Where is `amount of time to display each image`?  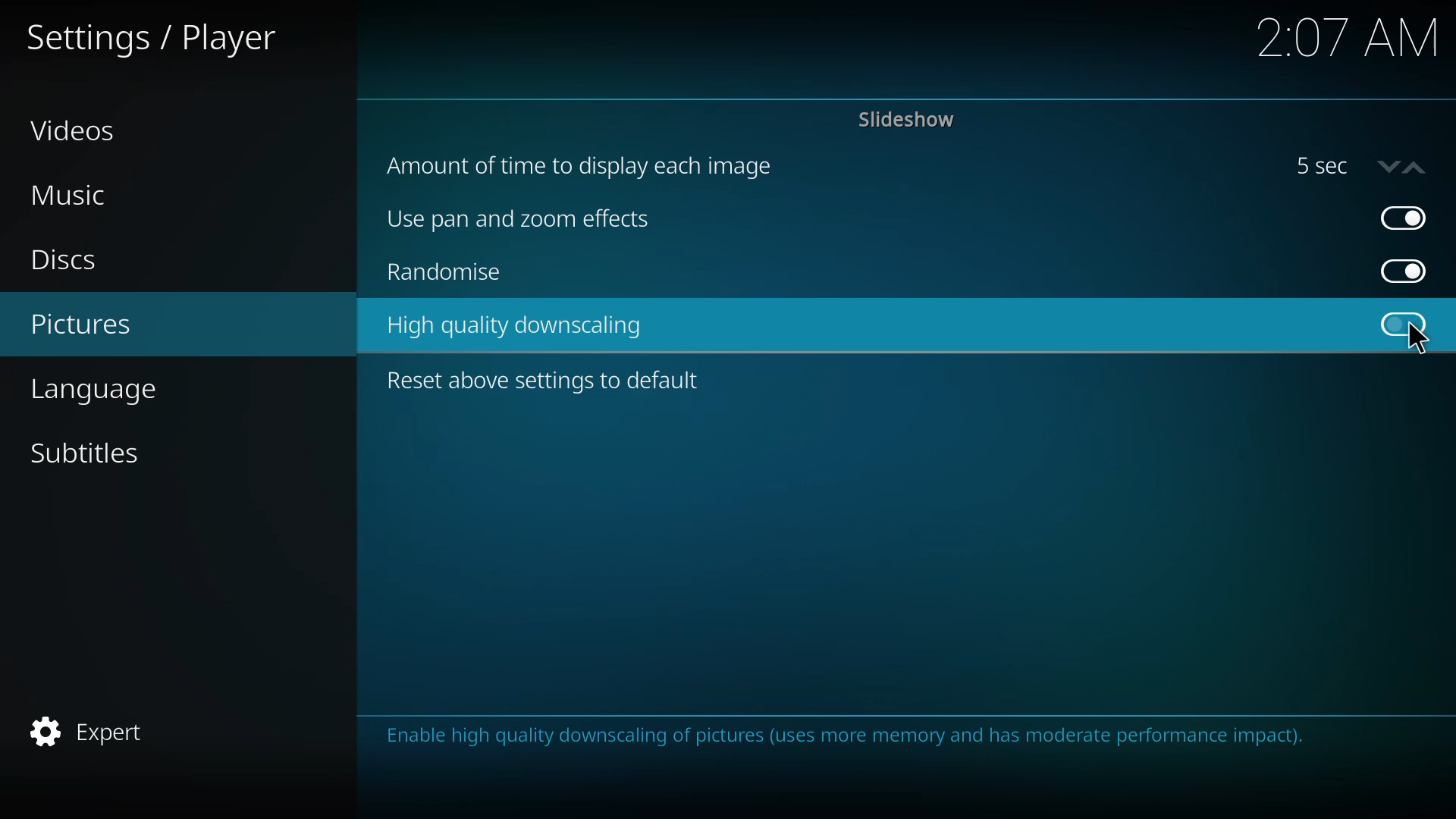 amount of time to display each image is located at coordinates (588, 165).